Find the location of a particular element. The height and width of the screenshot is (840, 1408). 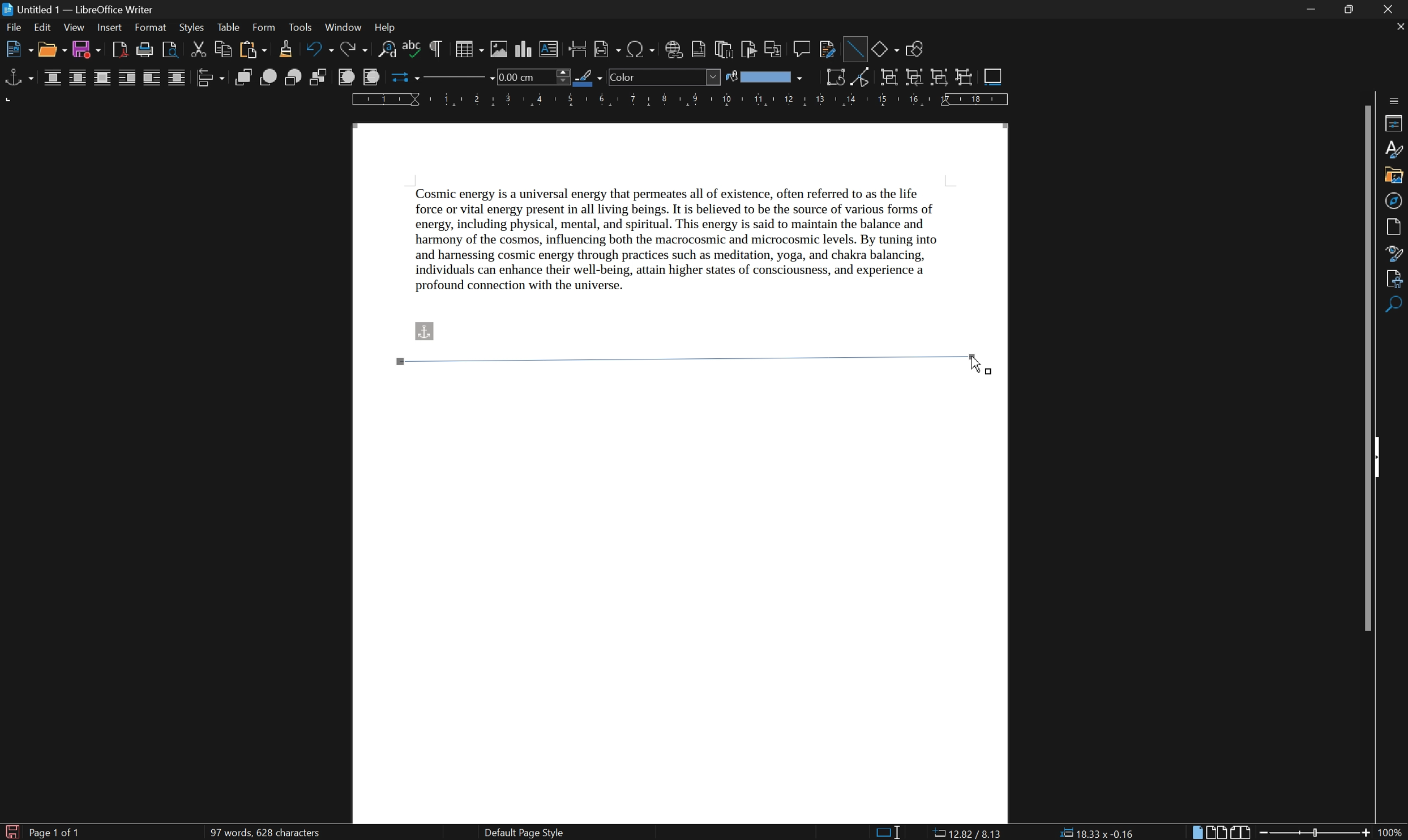

before is located at coordinates (127, 79).